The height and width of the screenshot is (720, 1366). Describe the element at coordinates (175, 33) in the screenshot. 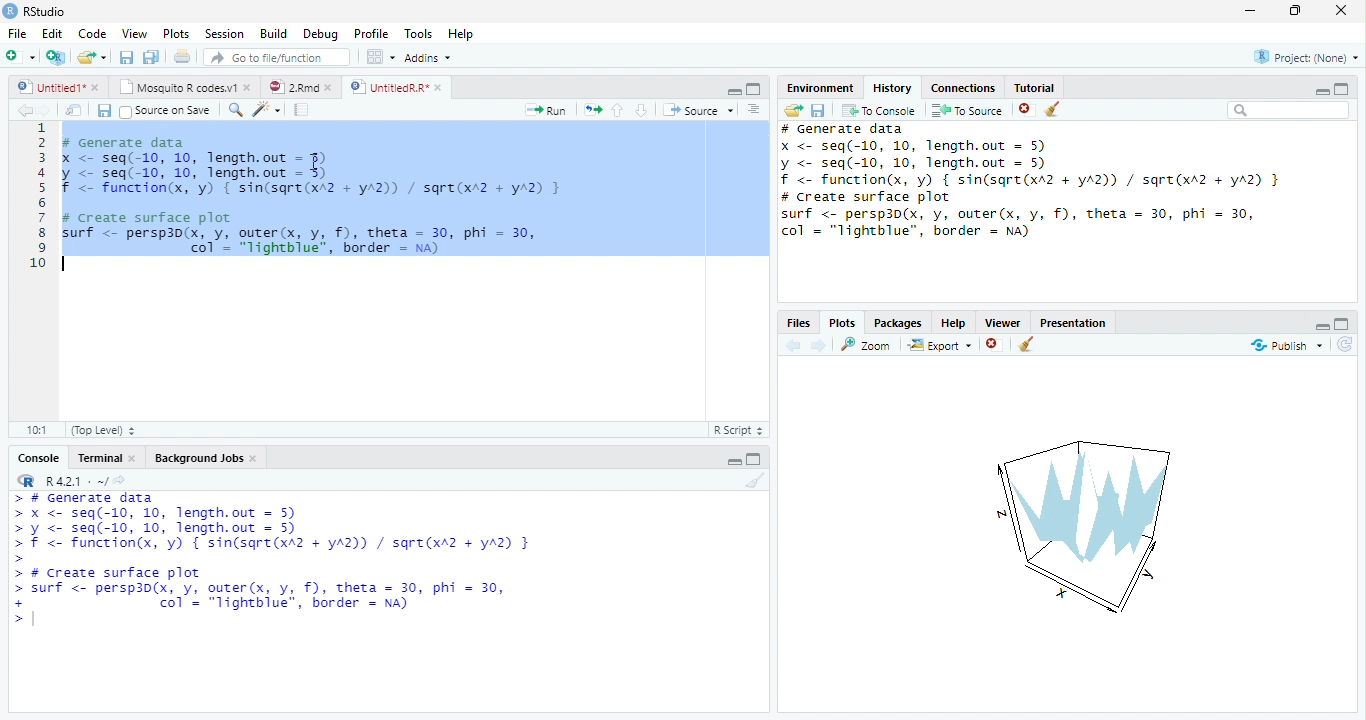

I see `Plots` at that location.